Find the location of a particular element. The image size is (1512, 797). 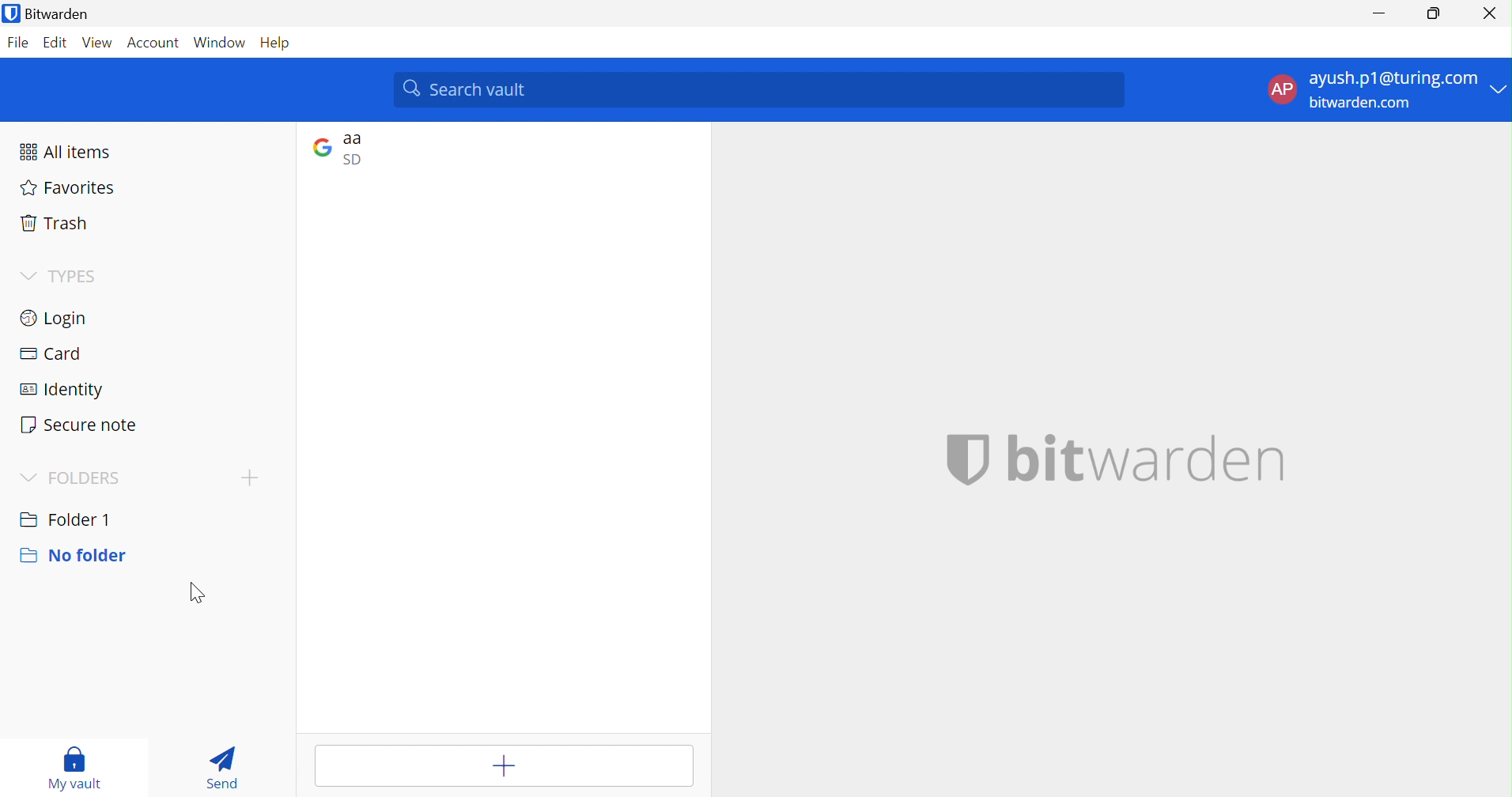

Drop Down is located at coordinates (27, 276).